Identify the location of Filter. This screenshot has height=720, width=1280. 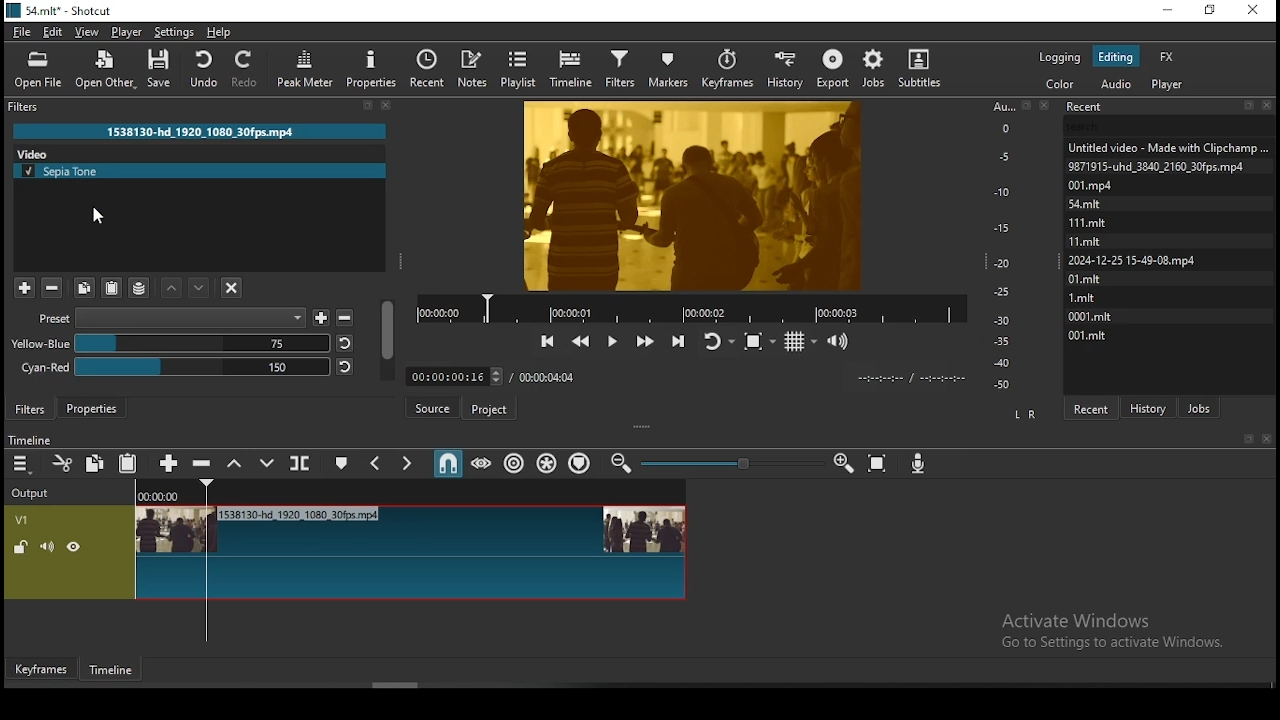
(202, 109).